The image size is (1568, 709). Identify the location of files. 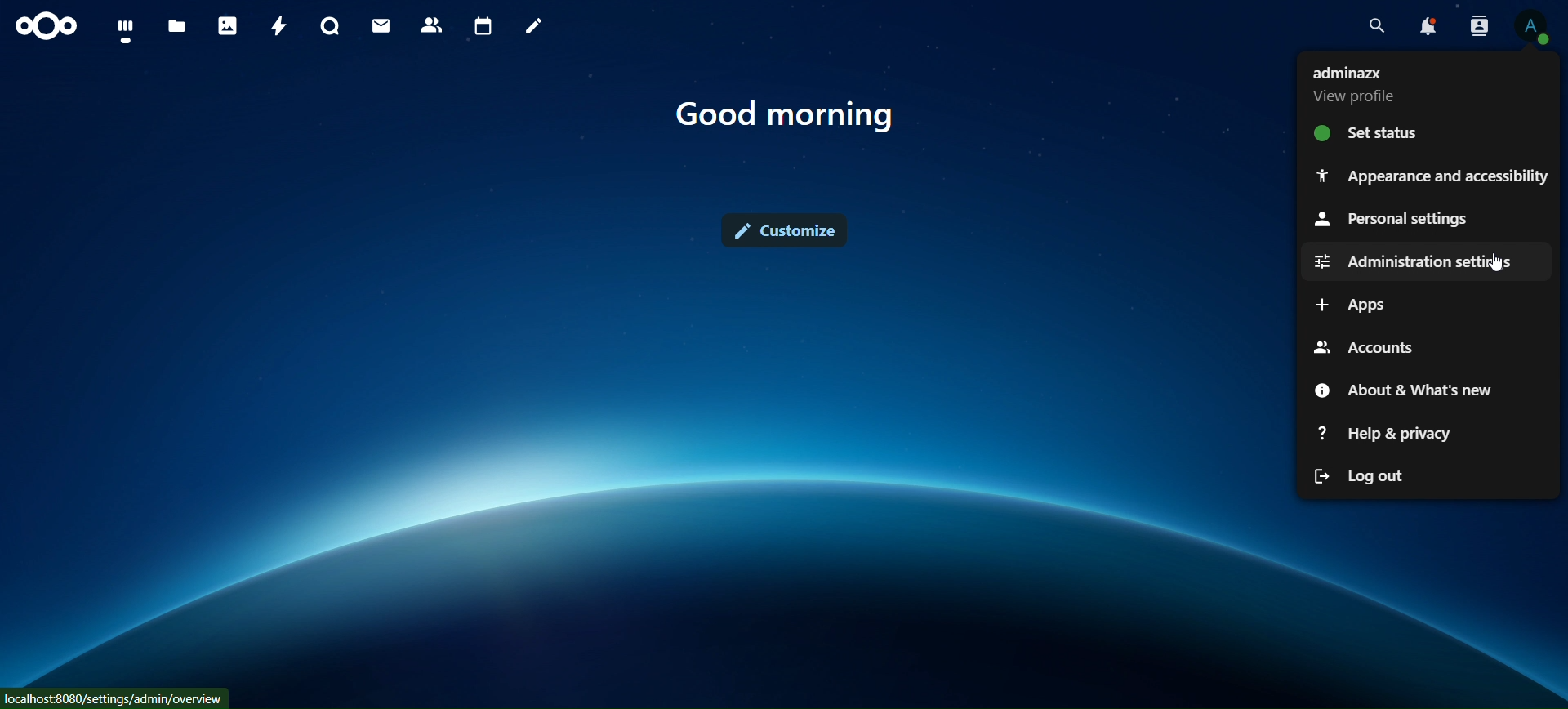
(180, 27).